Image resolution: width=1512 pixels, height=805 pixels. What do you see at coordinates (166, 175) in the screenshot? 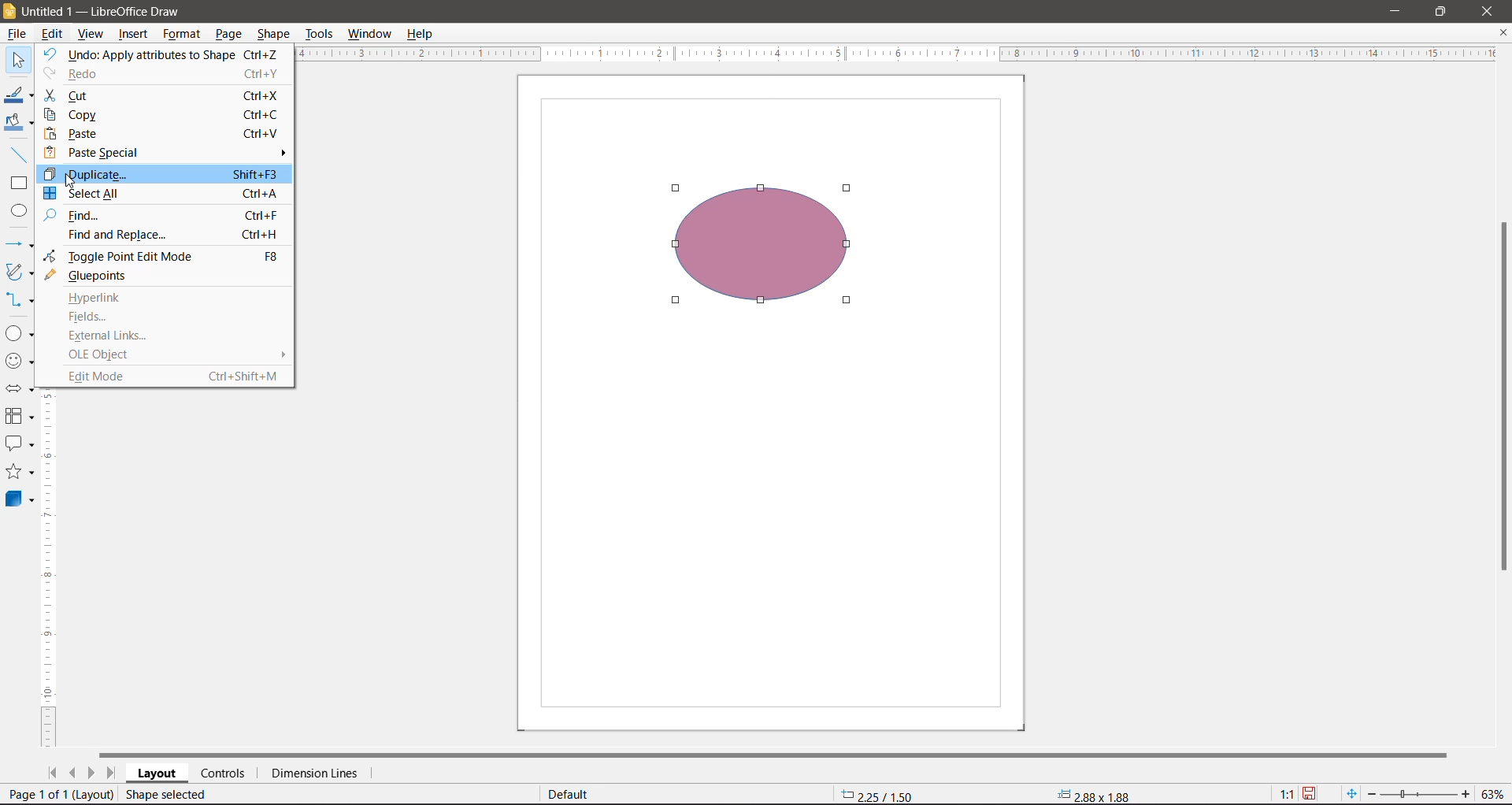
I see `Duplicate` at bounding box center [166, 175].